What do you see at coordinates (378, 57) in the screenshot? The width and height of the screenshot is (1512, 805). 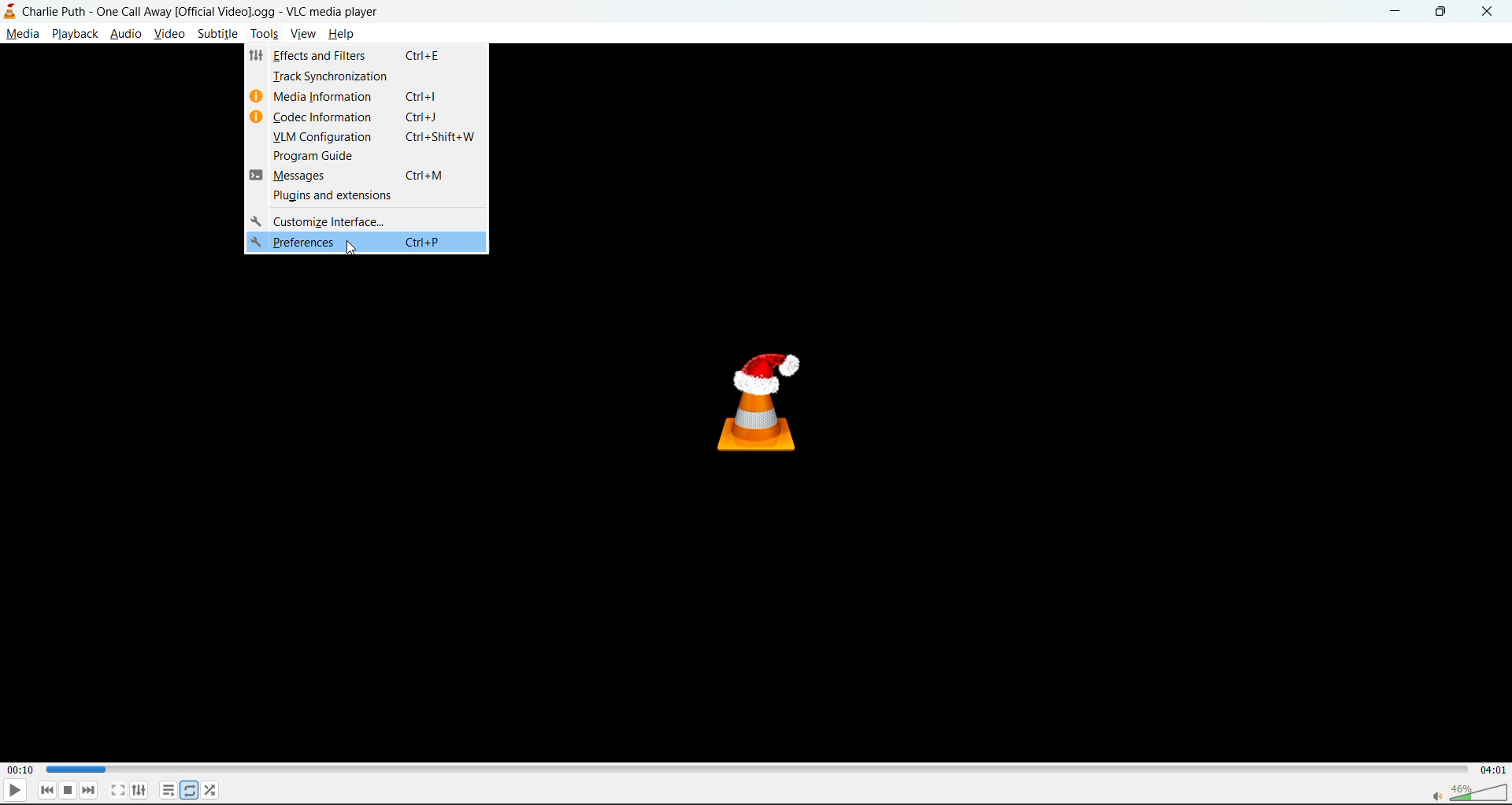 I see `effects and filters` at bounding box center [378, 57].